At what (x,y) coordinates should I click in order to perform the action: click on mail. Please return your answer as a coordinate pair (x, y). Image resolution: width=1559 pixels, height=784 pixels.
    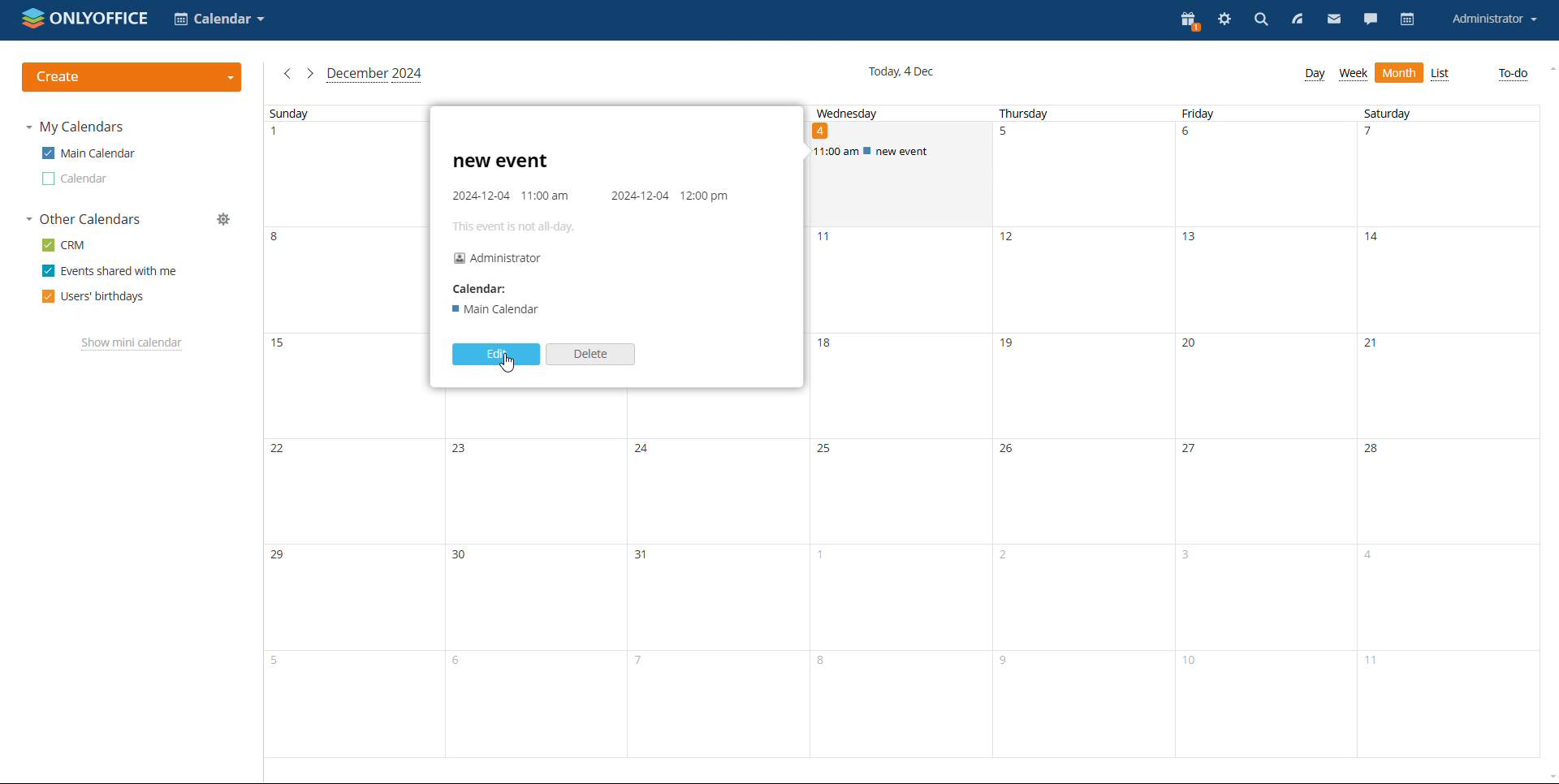
    Looking at the image, I should click on (1333, 21).